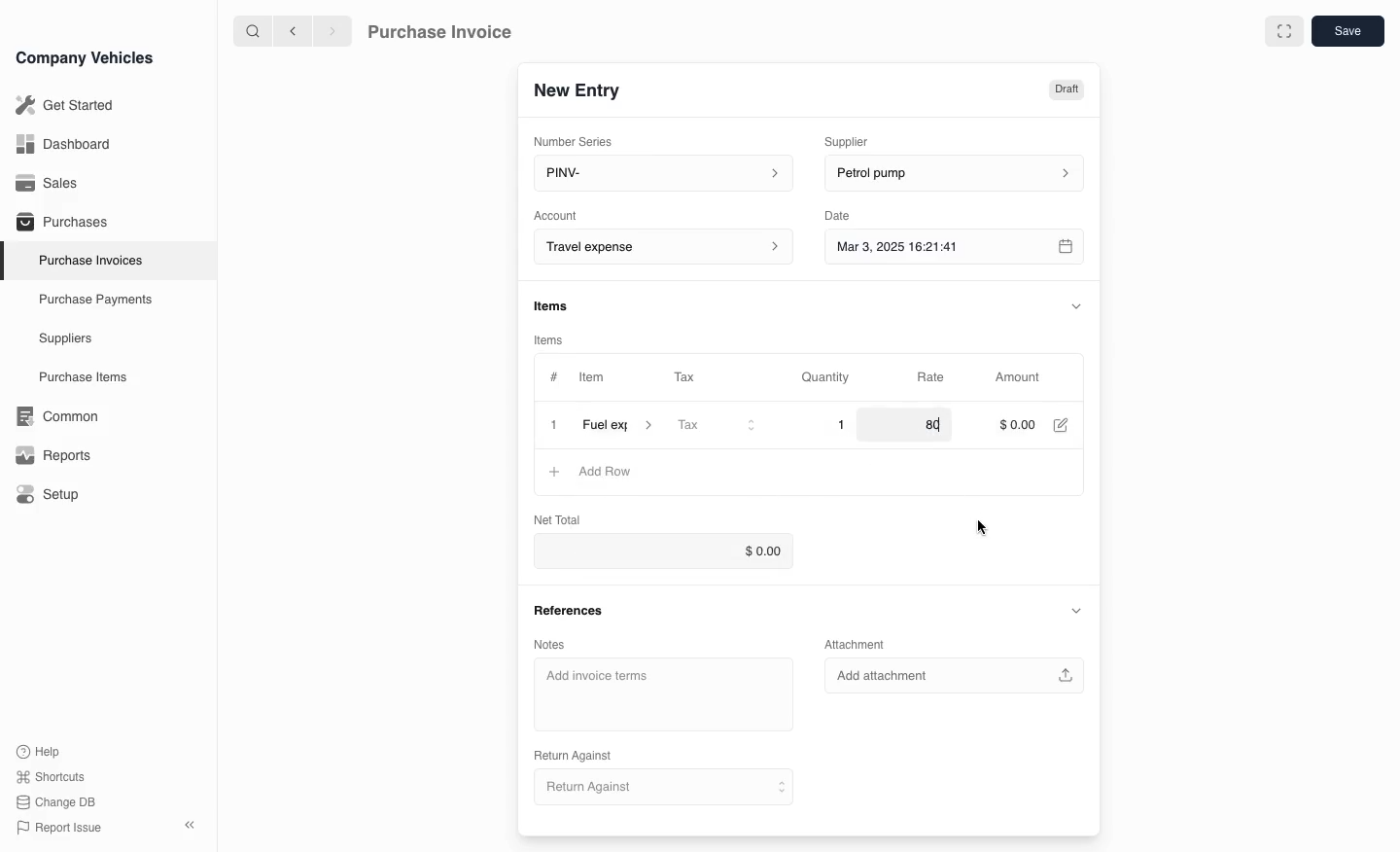  I want to click on PINV-, so click(657, 175).